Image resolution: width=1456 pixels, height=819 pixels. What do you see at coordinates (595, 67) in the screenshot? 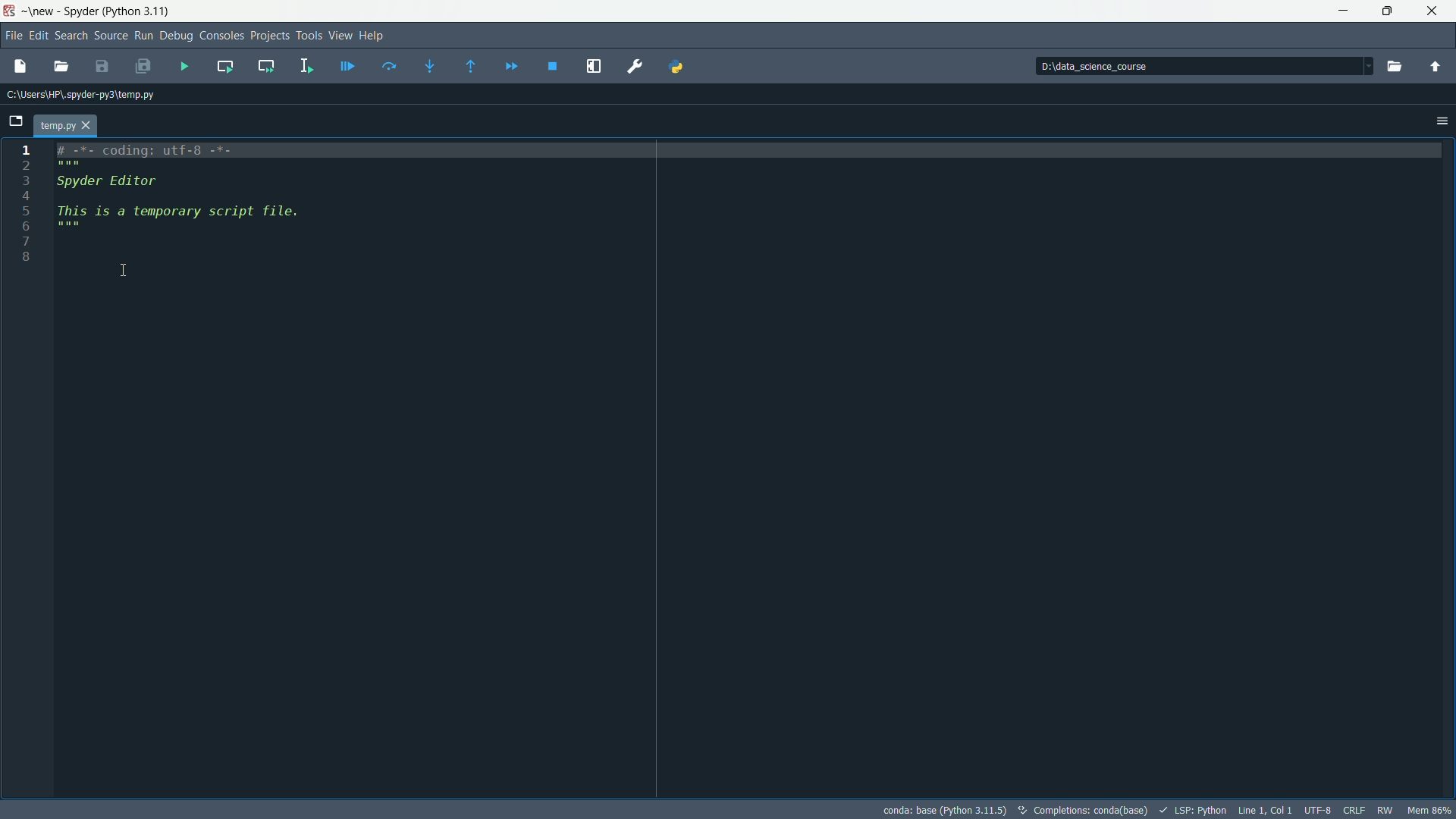
I see `maximize current pane` at bounding box center [595, 67].